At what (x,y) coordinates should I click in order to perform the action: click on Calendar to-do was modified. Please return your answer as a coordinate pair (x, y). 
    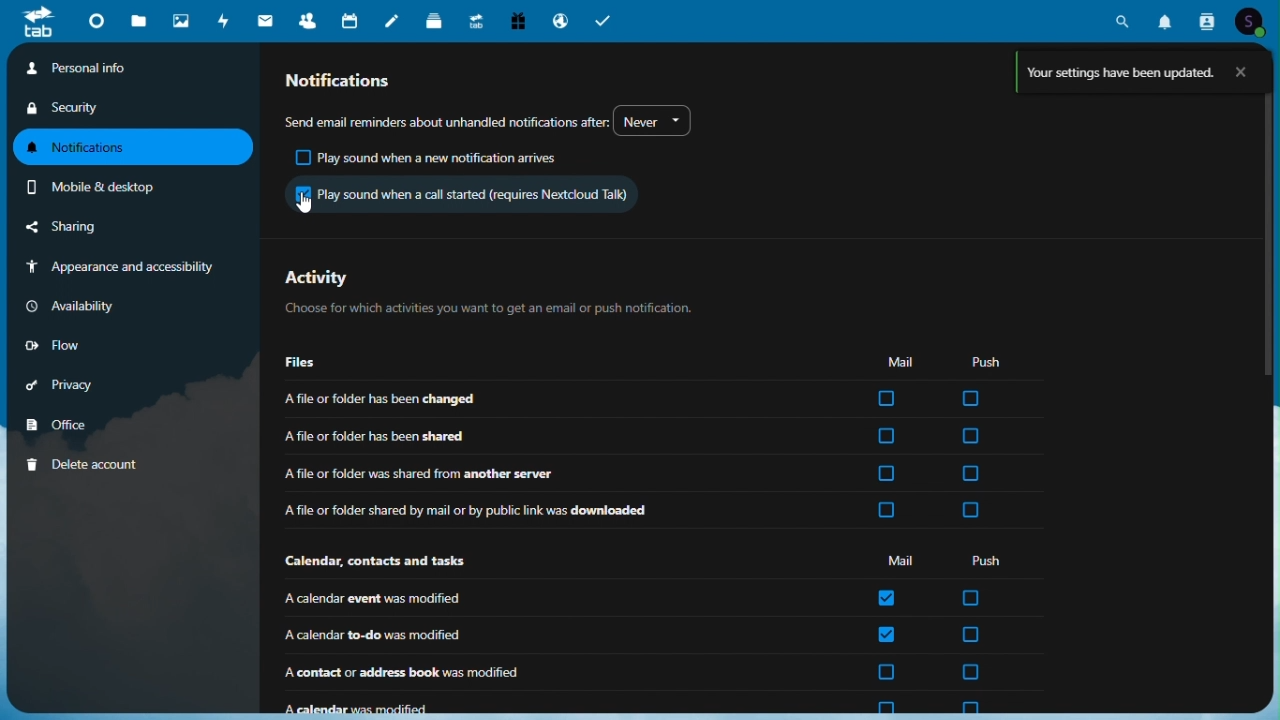
    Looking at the image, I should click on (535, 635).